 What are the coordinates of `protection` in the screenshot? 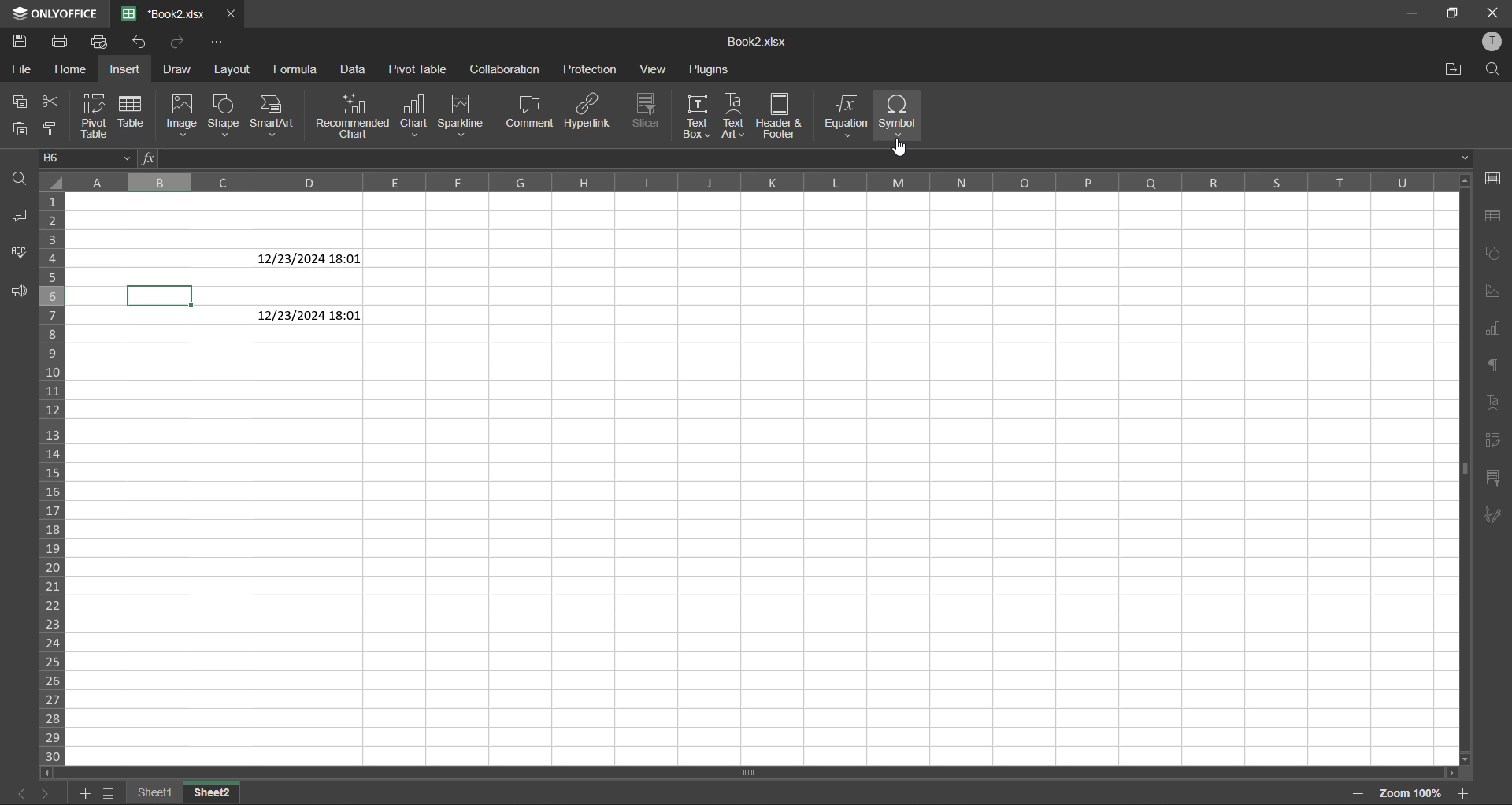 It's located at (591, 70).